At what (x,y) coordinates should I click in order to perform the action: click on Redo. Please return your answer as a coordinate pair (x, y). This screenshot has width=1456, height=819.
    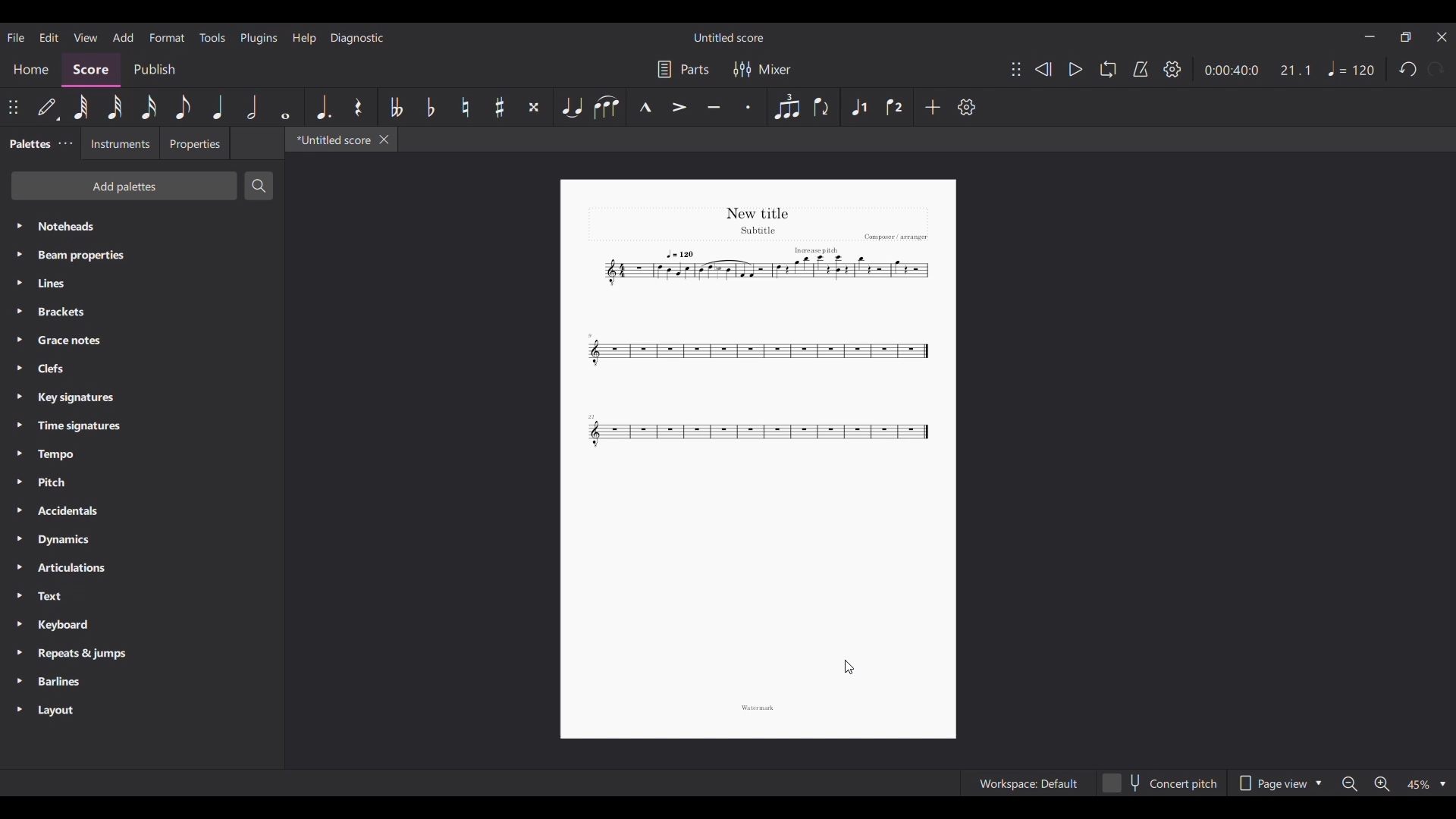
    Looking at the image, I should click on (1435, 69).